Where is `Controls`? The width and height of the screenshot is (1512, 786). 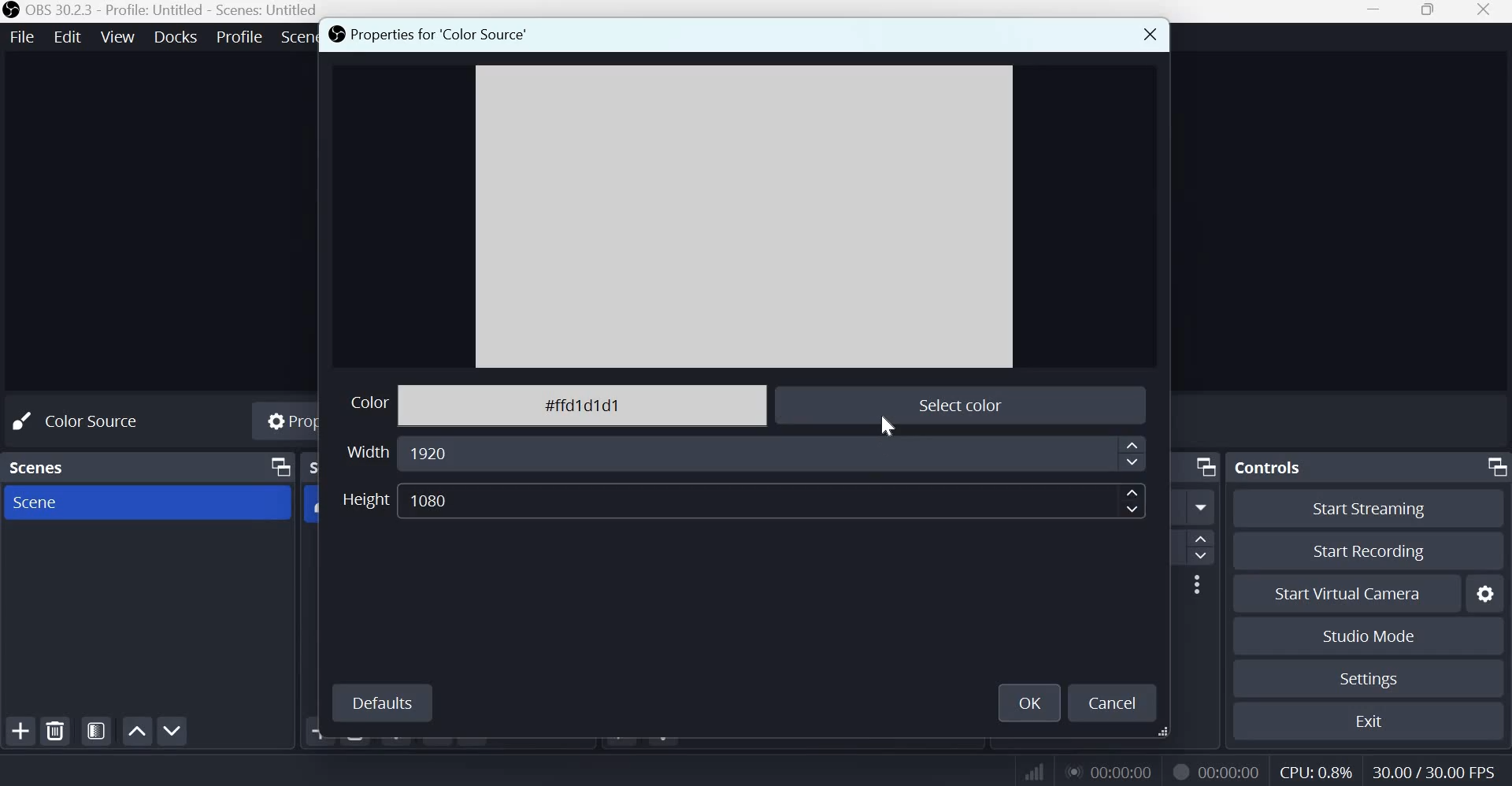 Controls is located at coordinates (1272, 465).